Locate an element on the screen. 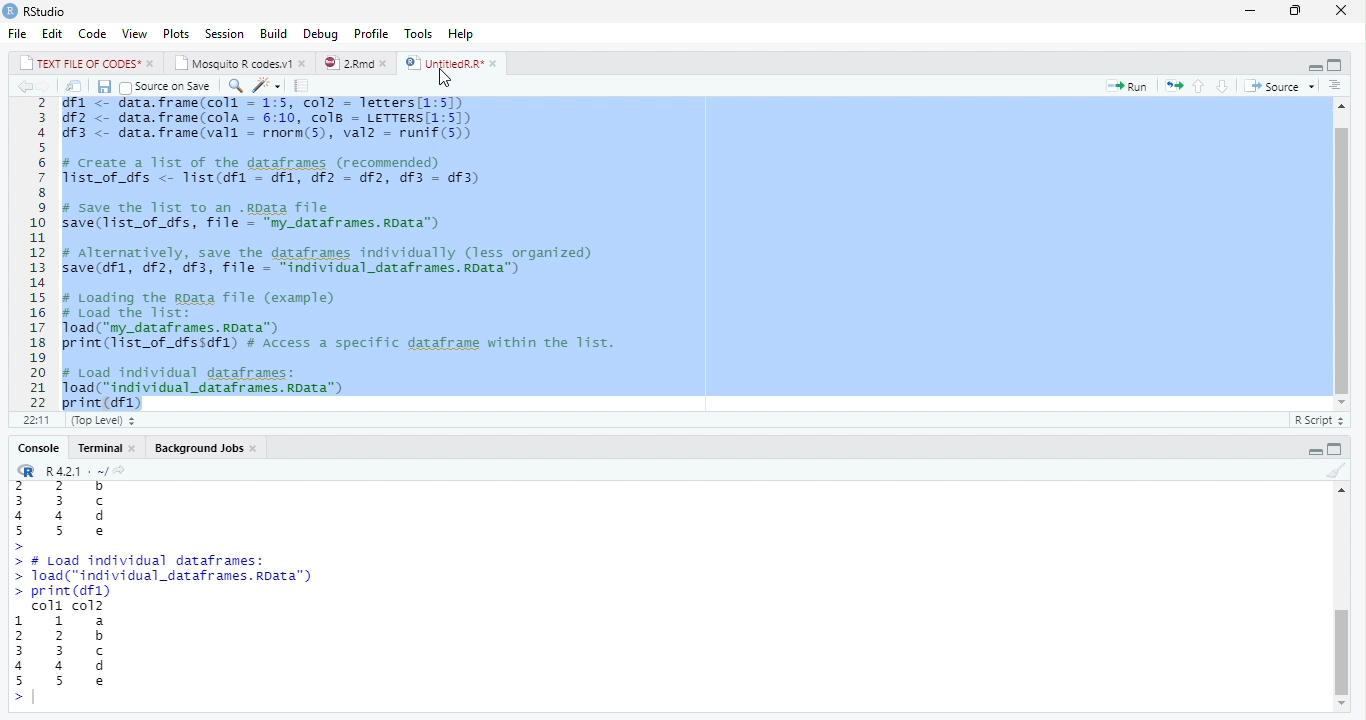 This screenshot has width=1366, height=720. Save is located at coordinates (105, 87).